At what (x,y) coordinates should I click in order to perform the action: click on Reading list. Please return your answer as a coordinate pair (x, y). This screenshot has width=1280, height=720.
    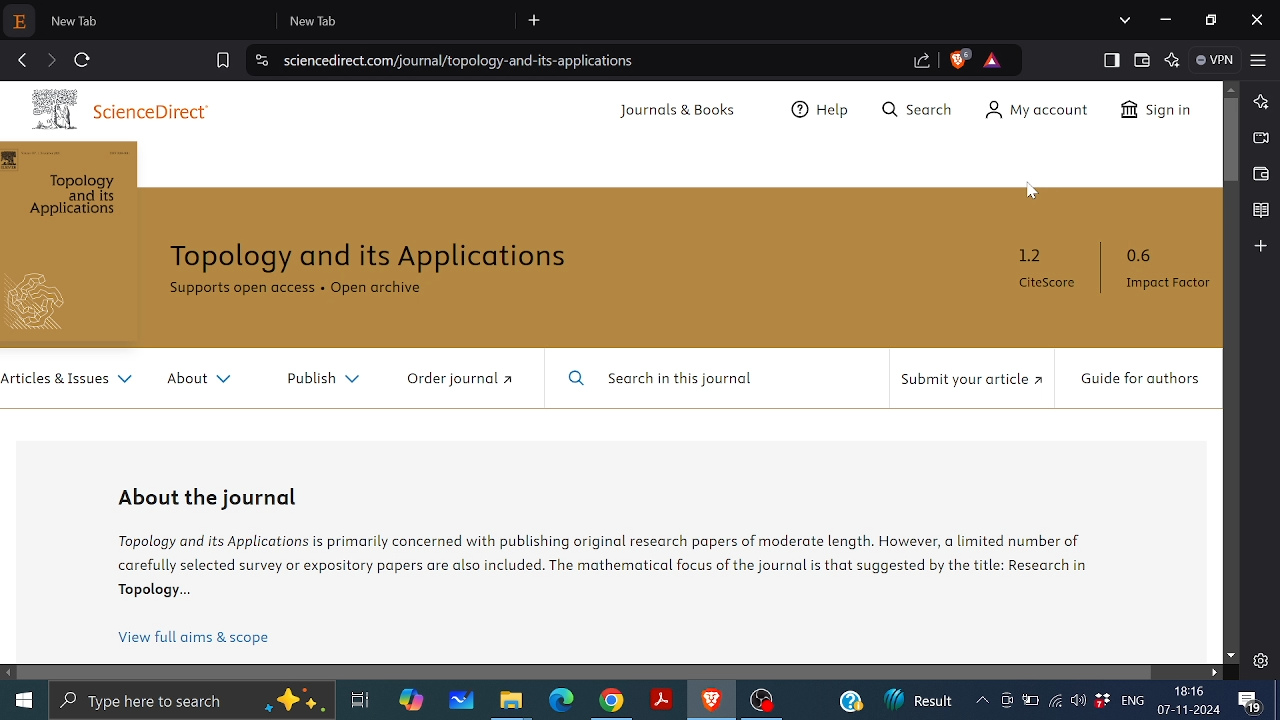
    Looking at the image, I should click on (1260, 247).